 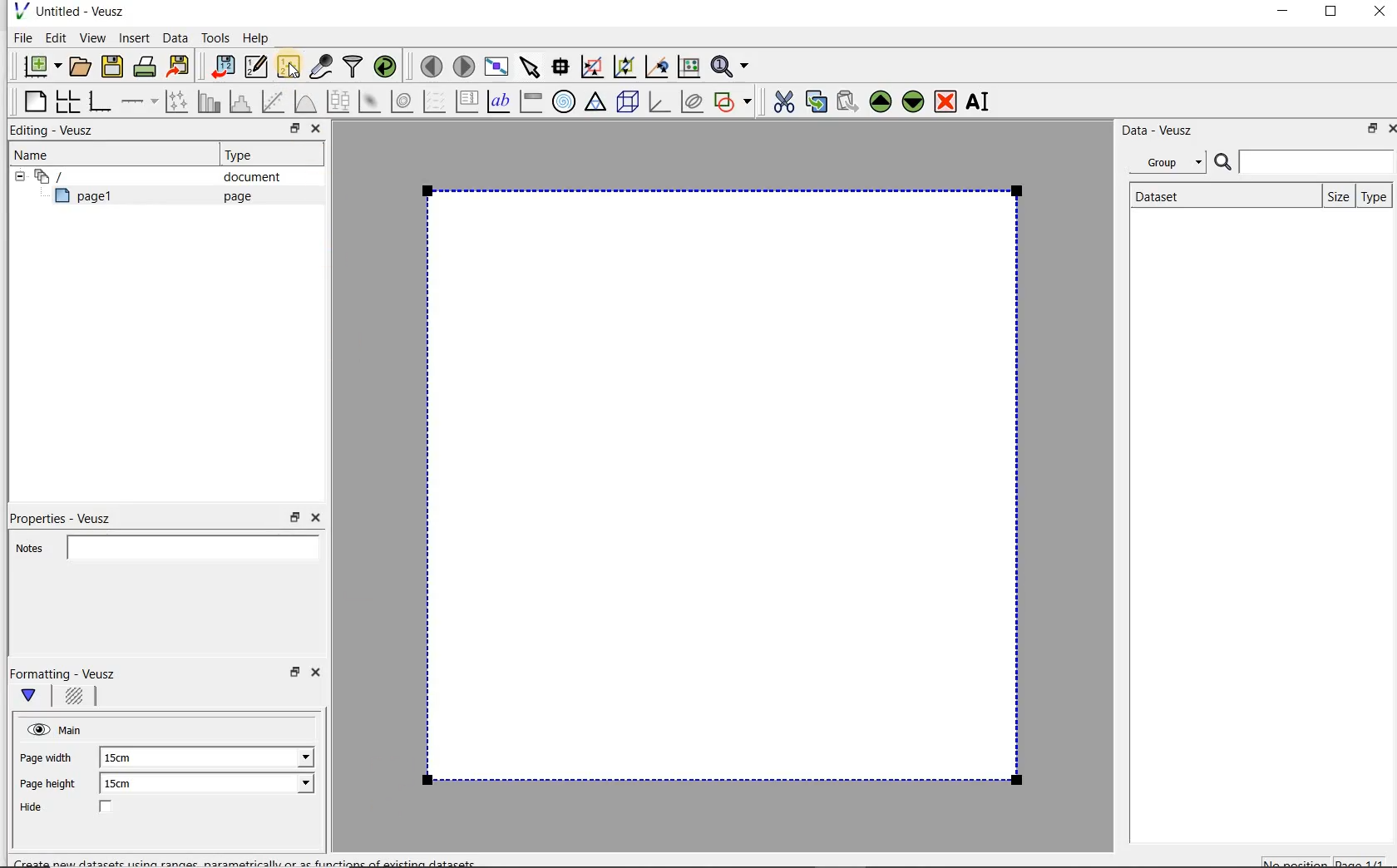 What do you see at coordinates (36, 729) in the screenshot?
I see `visible (click to hide, set Hide to true)` at bounding box center [36, 729].